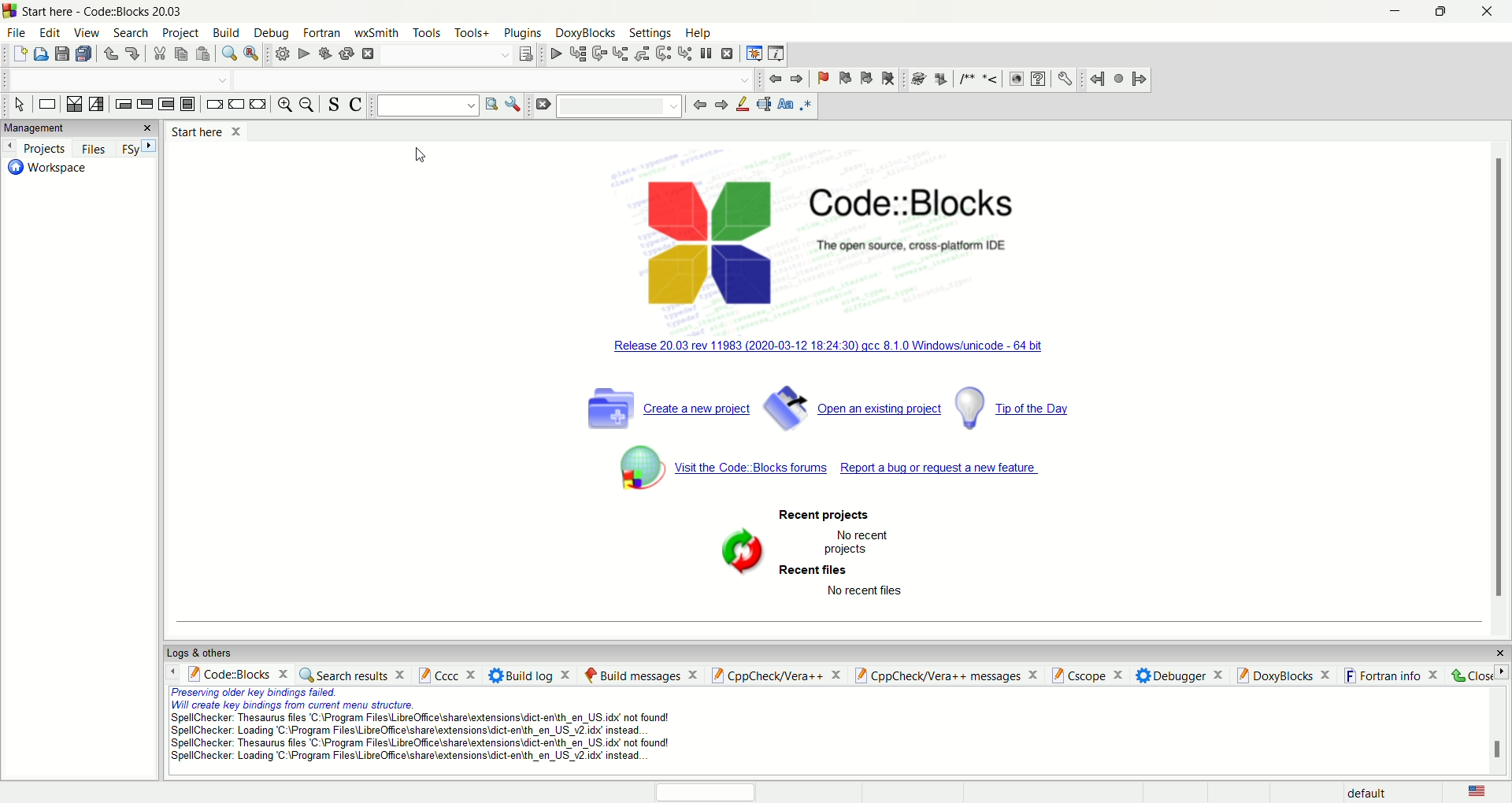 The height and width of the screenshot is (803, 1512). Describe the element at coordinates (309, 107) in the screenshot. I see `zoom out` at that location.